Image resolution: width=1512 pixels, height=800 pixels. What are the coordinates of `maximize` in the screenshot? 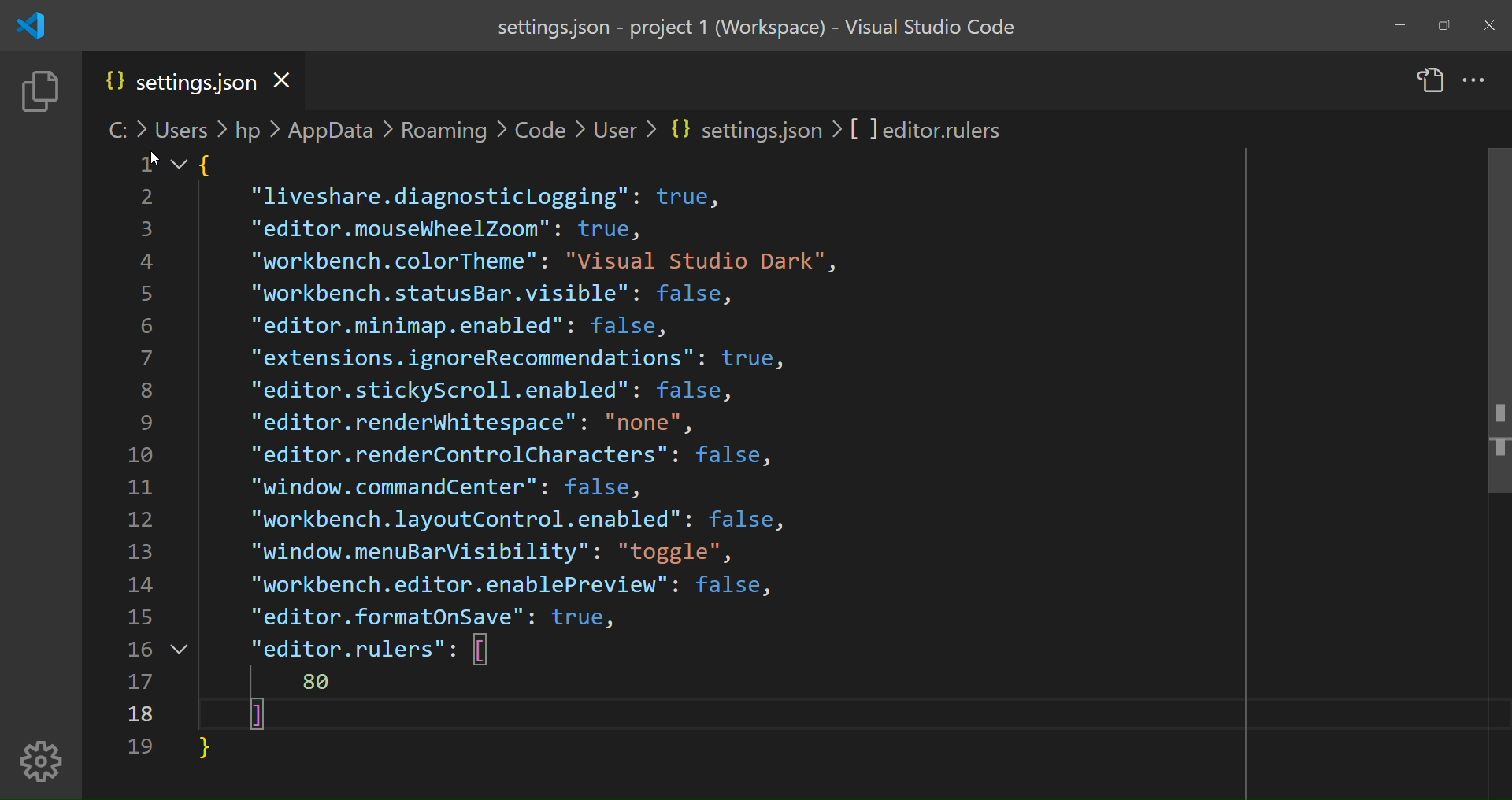 It's located at (1442, 26).